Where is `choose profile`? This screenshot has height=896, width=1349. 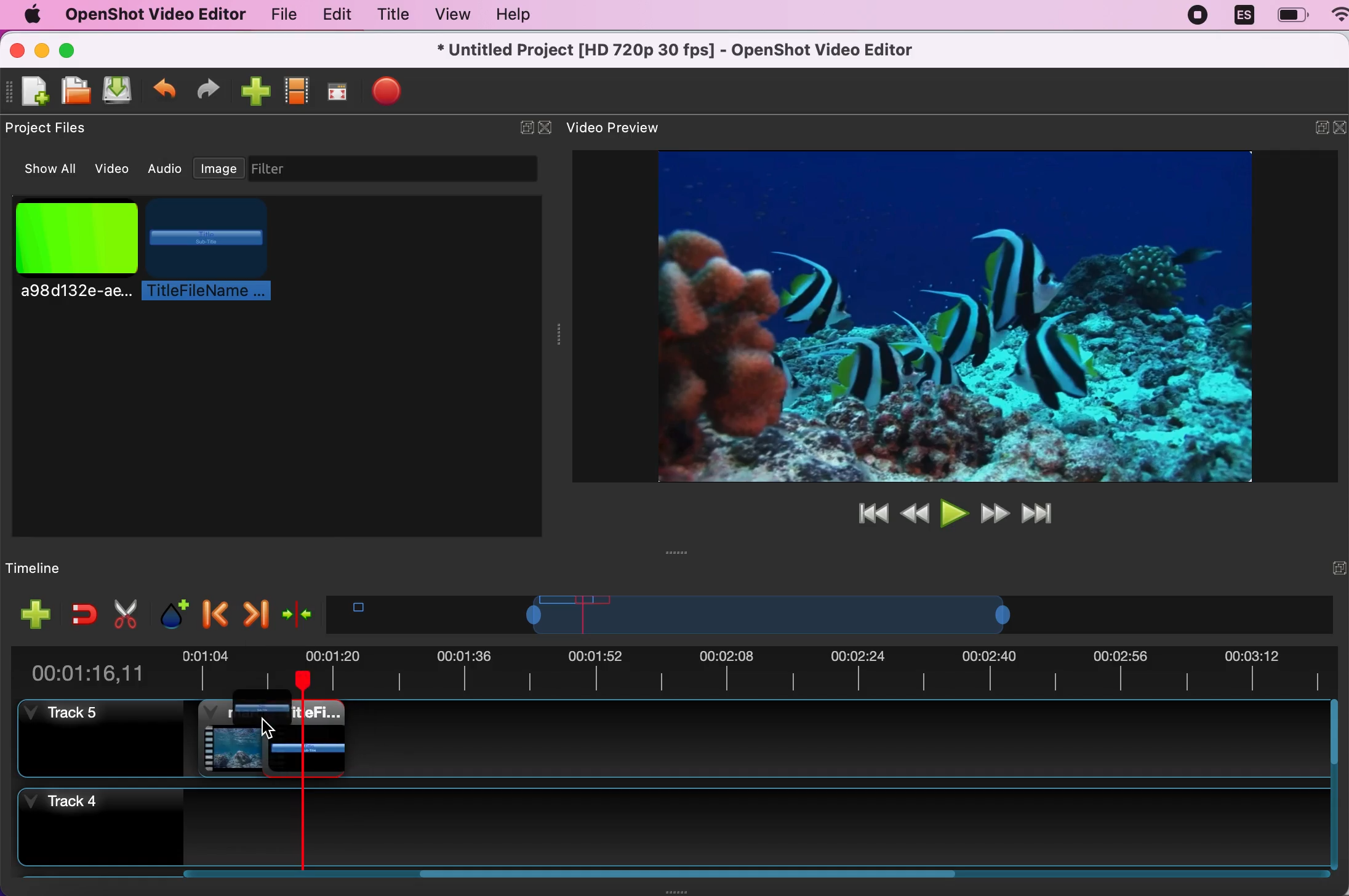
choose profile is located at coordinates (298, 89).